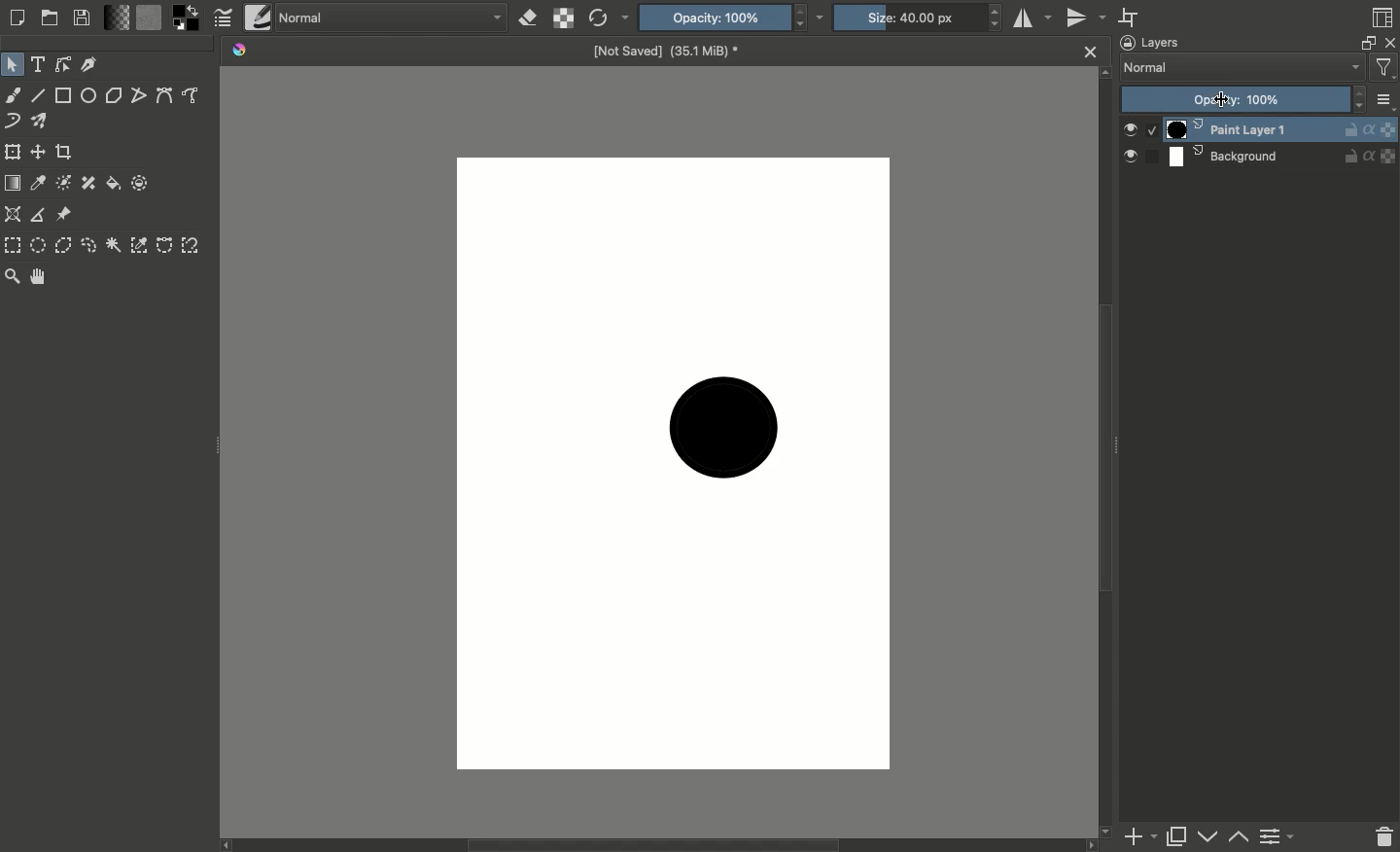 This screenshot has height=852, width=1400. What do you see at coordinates (115, 95) in the screenshot?
I see `Polygon` at bounding box center [115, 95].